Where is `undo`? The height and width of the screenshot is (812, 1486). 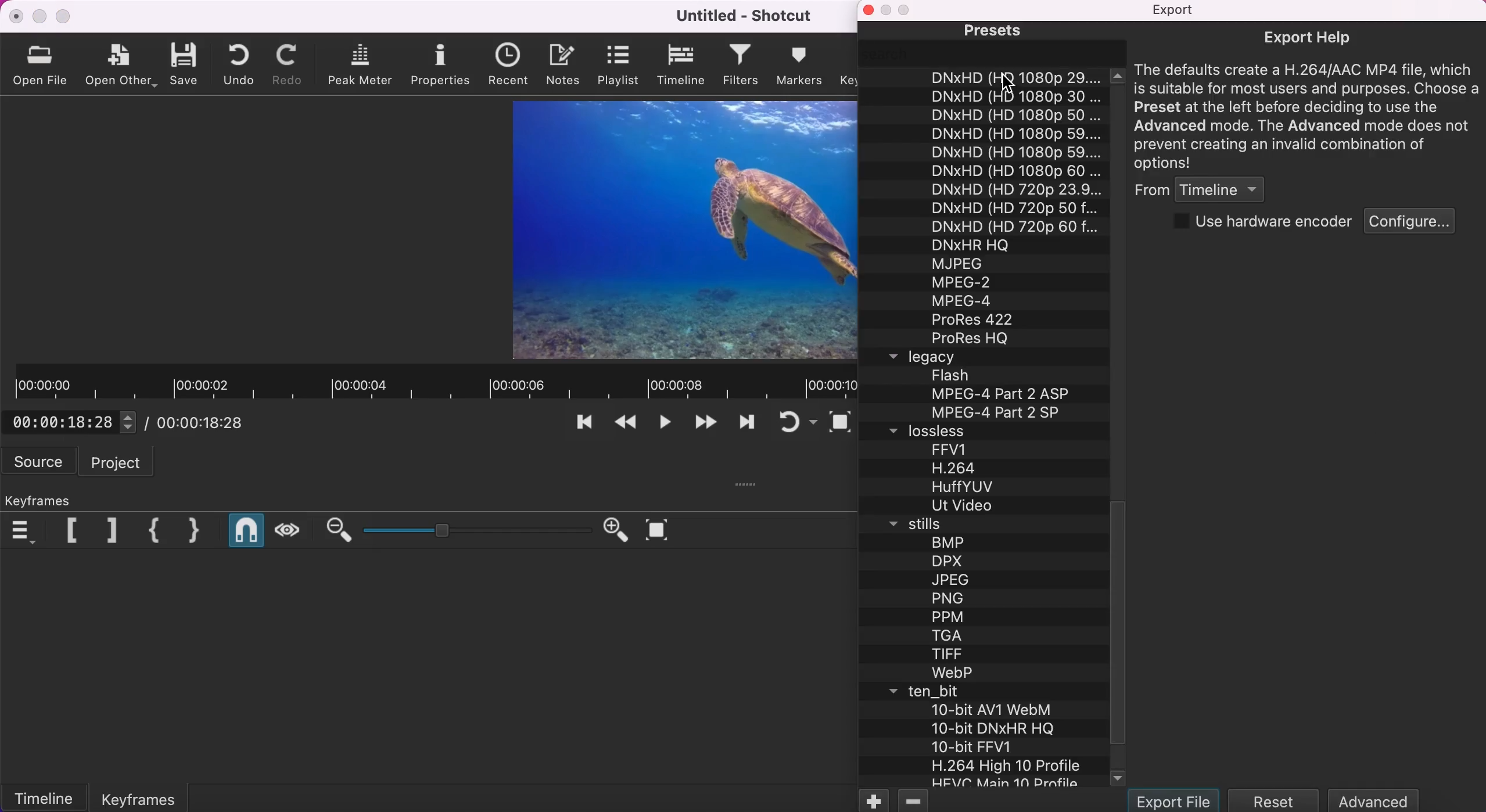
undo is located at coordinates (242, 64).